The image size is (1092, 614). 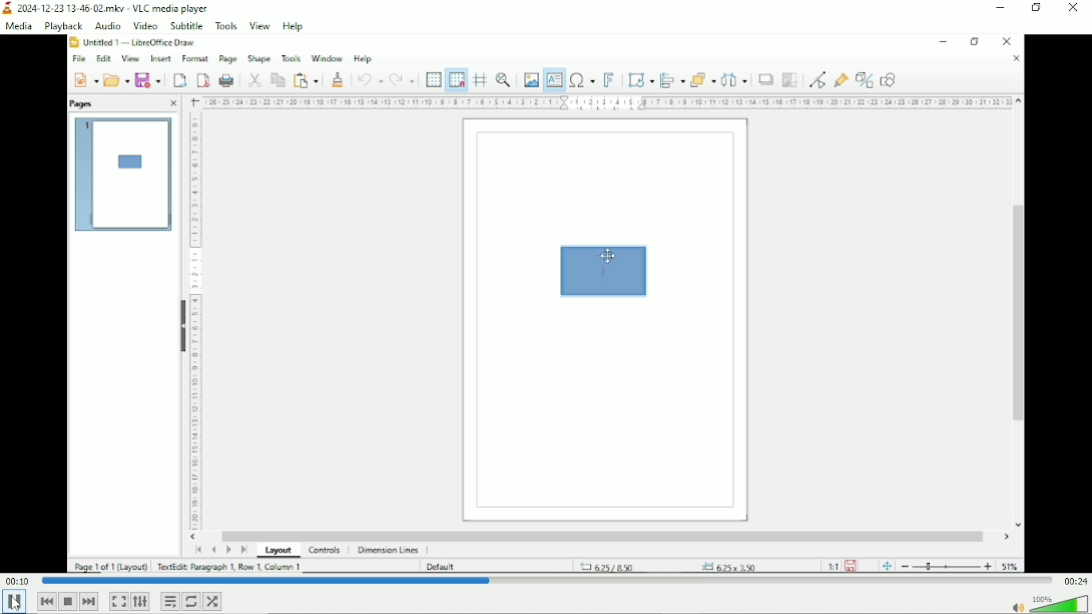 I want to click on cursor, so click(x=16, y=604).